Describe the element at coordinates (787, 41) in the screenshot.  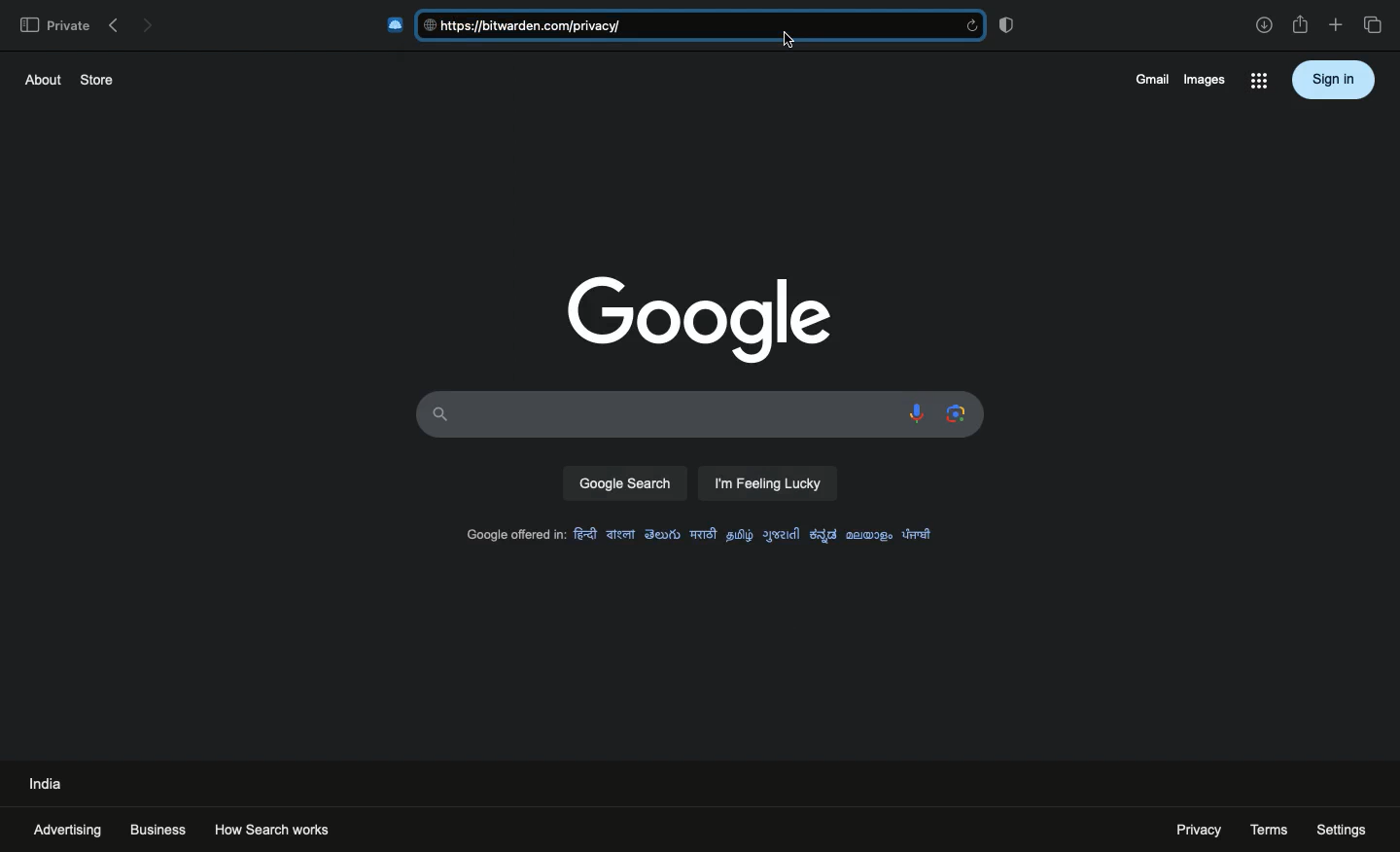
I see `Cursor` at that location.